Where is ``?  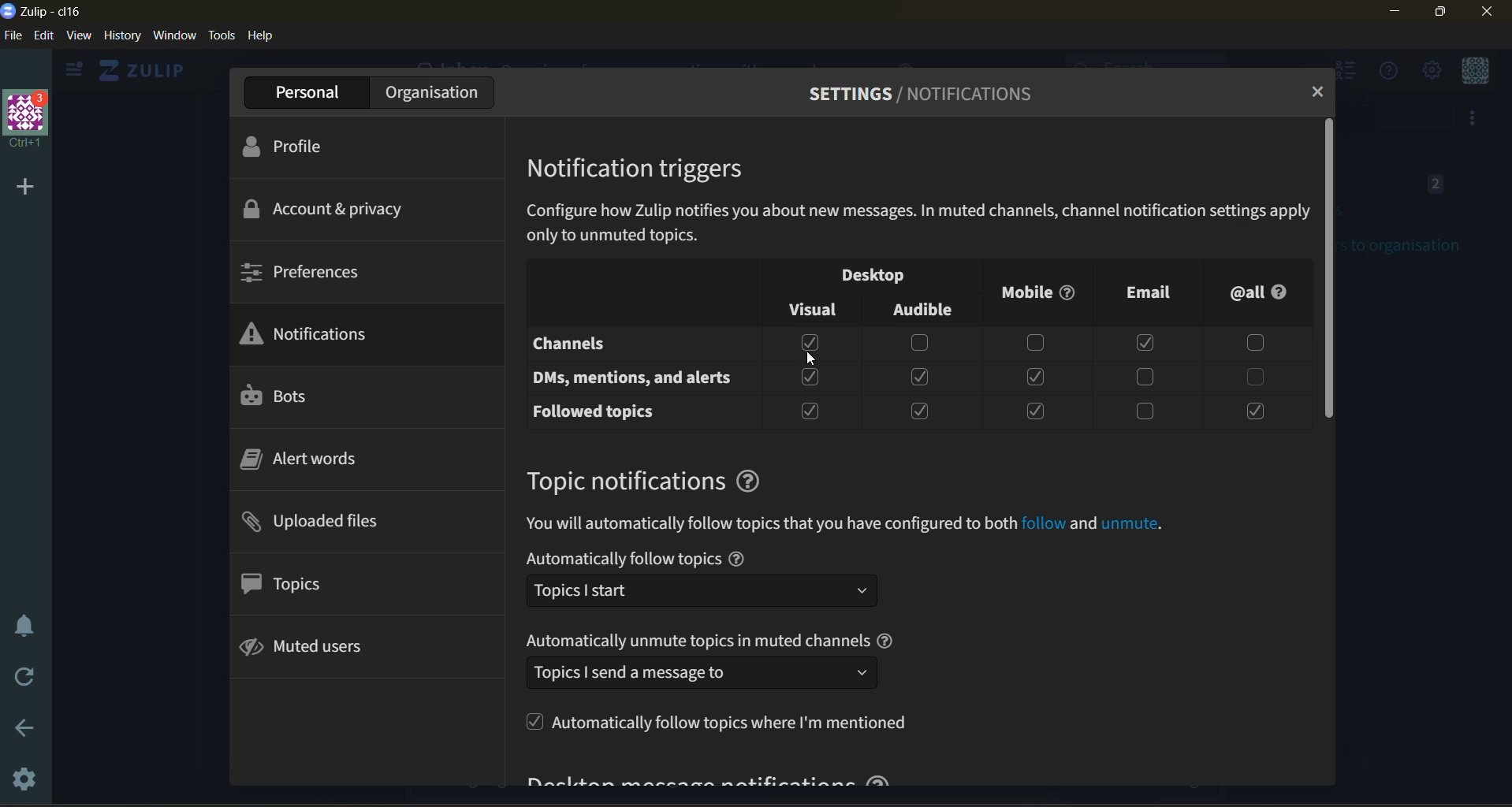  is located at coordinates (1043, 524).